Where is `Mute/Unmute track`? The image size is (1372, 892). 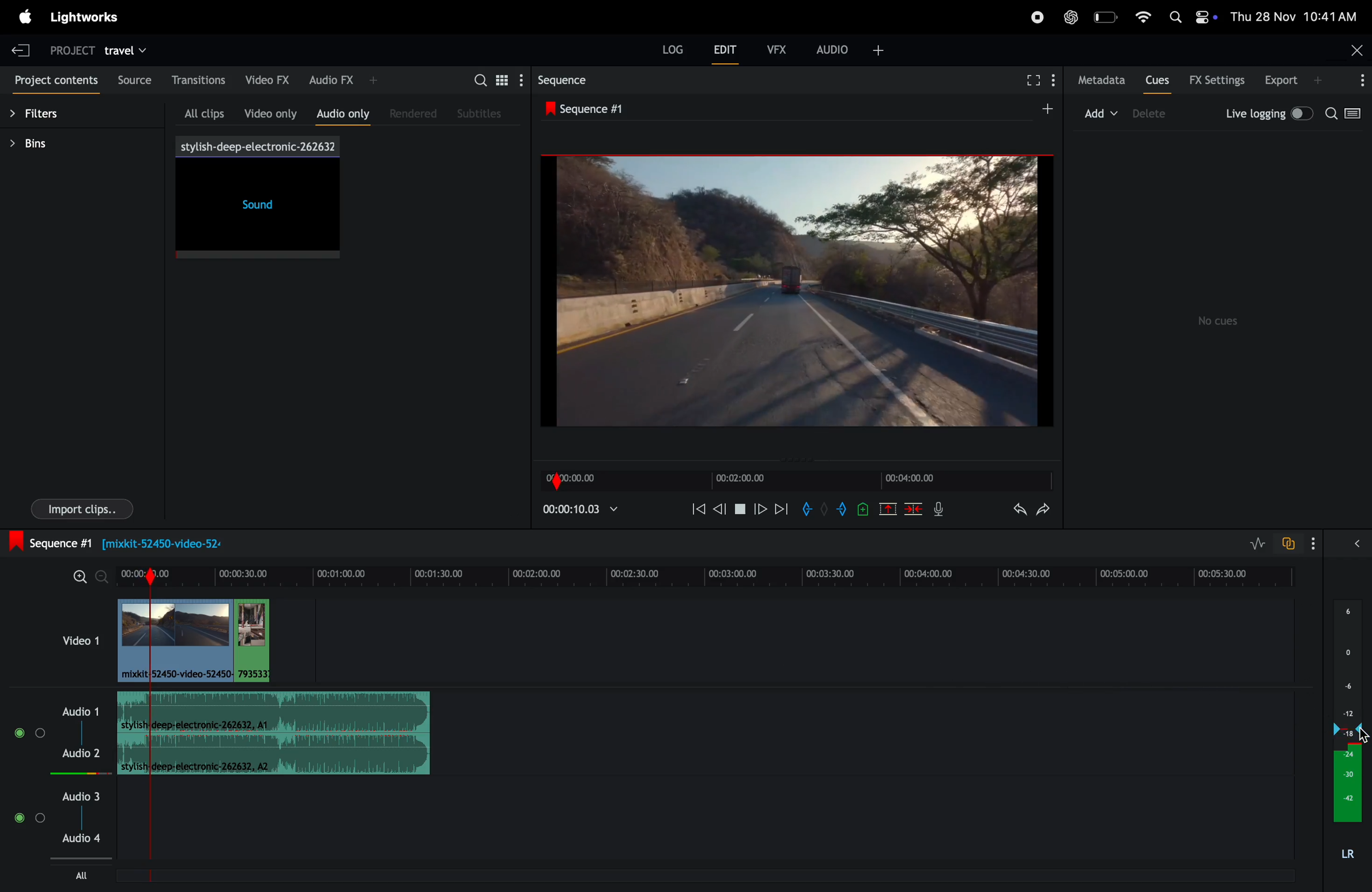 Mute/Unmute track is located at coordinates (24, 733).